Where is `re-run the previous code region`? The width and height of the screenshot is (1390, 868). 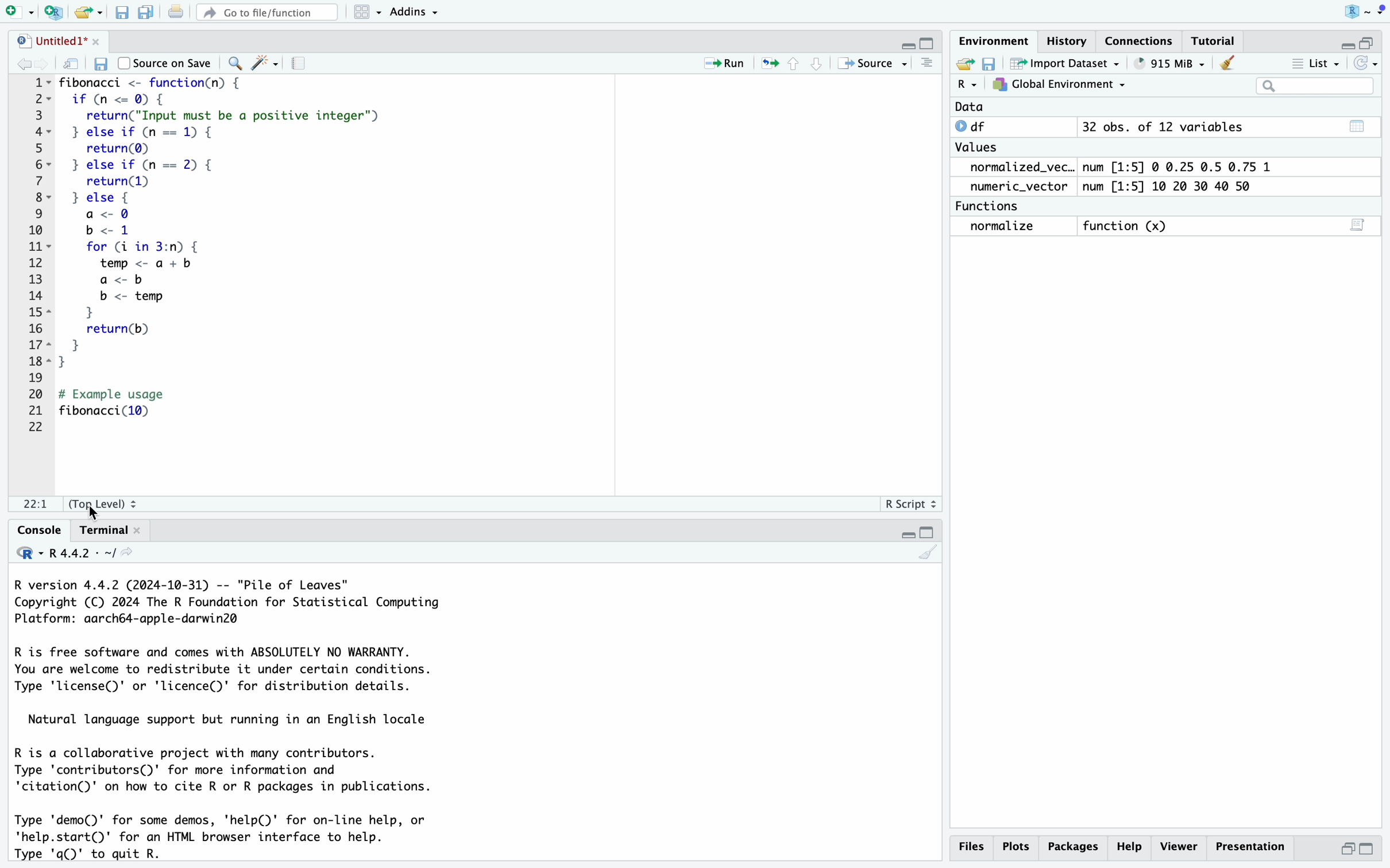
re-run the previous code region is located at coordinates (769, 62).